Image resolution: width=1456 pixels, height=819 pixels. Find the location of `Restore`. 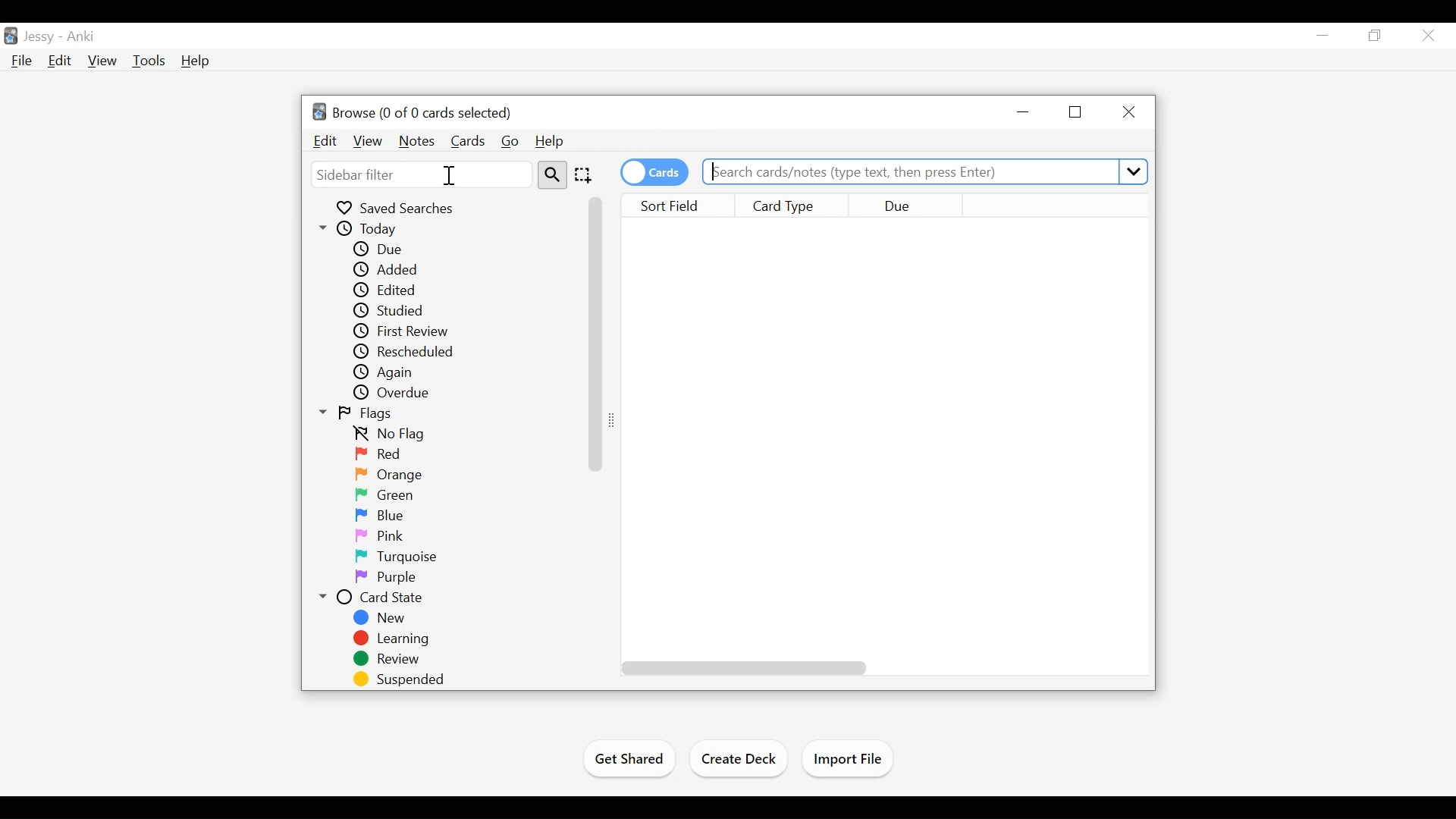

Restore is located at coordinates (1077, 112).